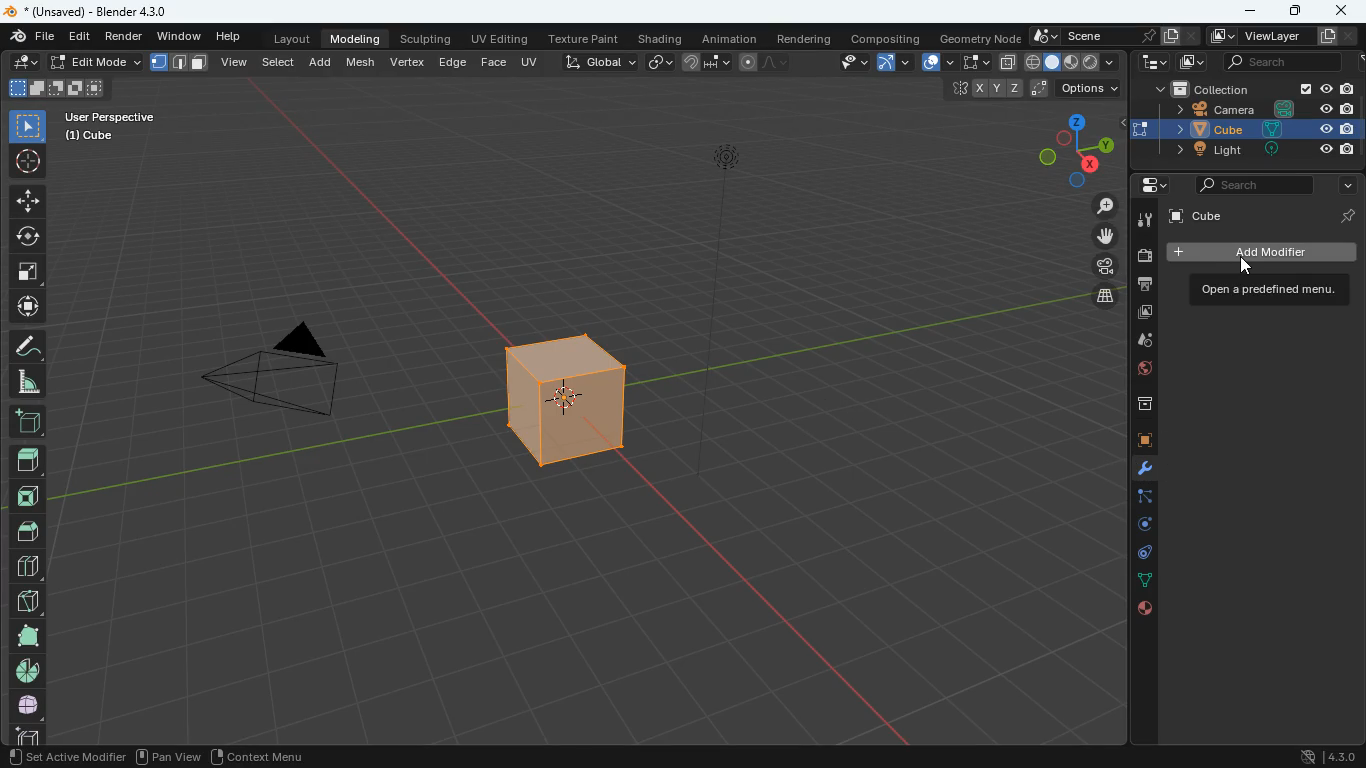  I want to click on controls, so click(1138, 555).